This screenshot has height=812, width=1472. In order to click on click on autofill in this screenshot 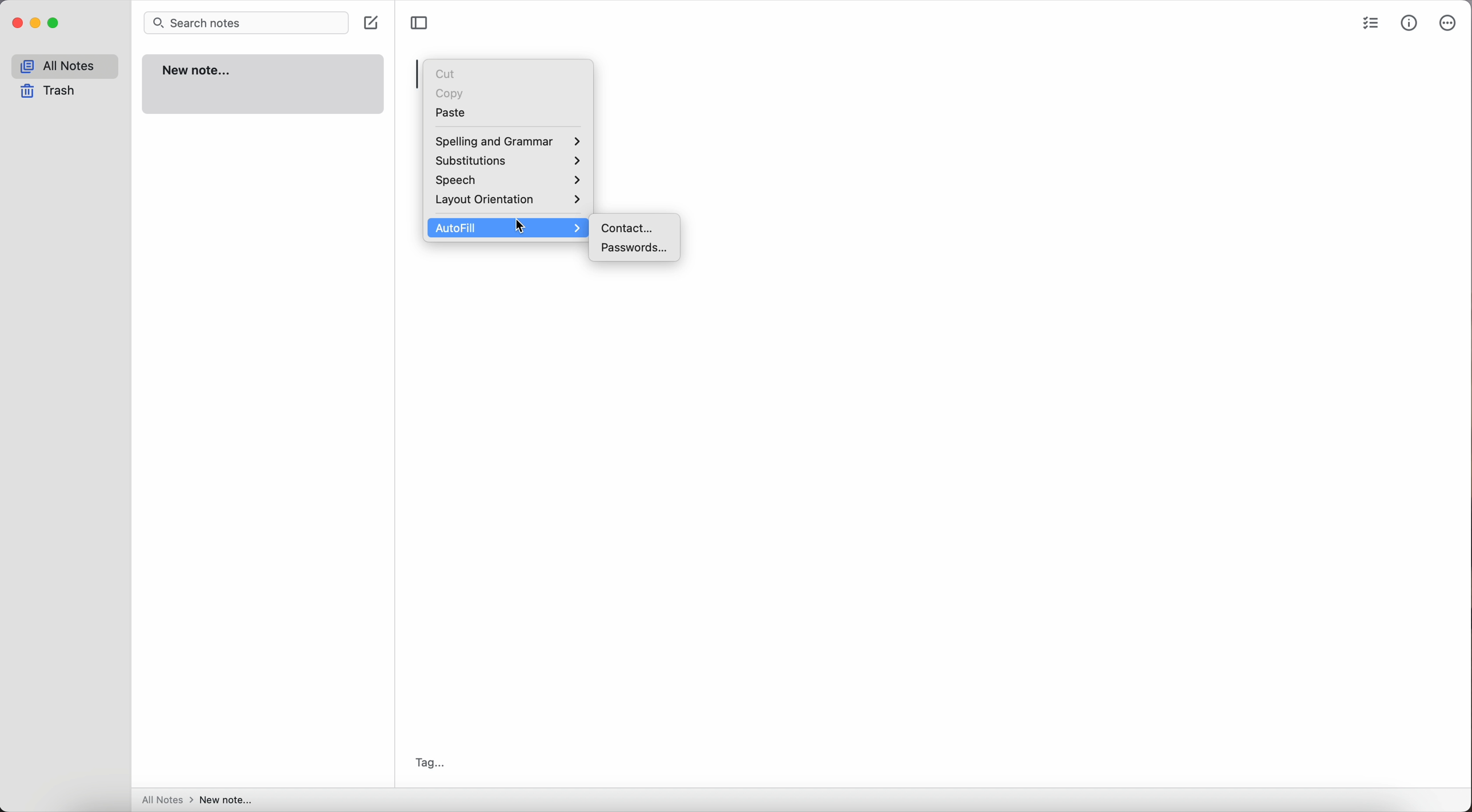, I will do `click(510, 227)`.